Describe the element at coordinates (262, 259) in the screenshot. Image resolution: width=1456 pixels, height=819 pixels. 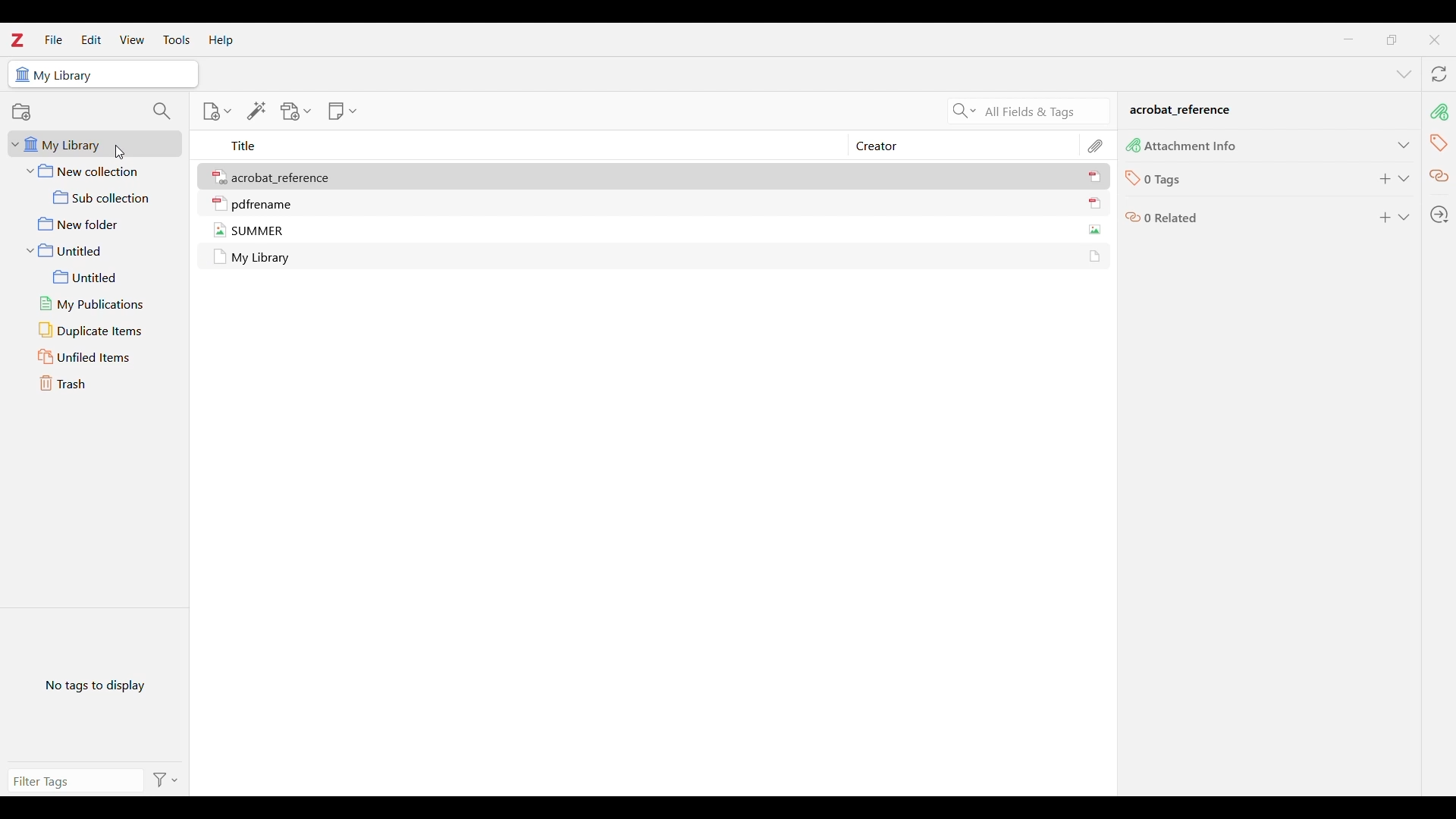
I see `My Library` at that location.